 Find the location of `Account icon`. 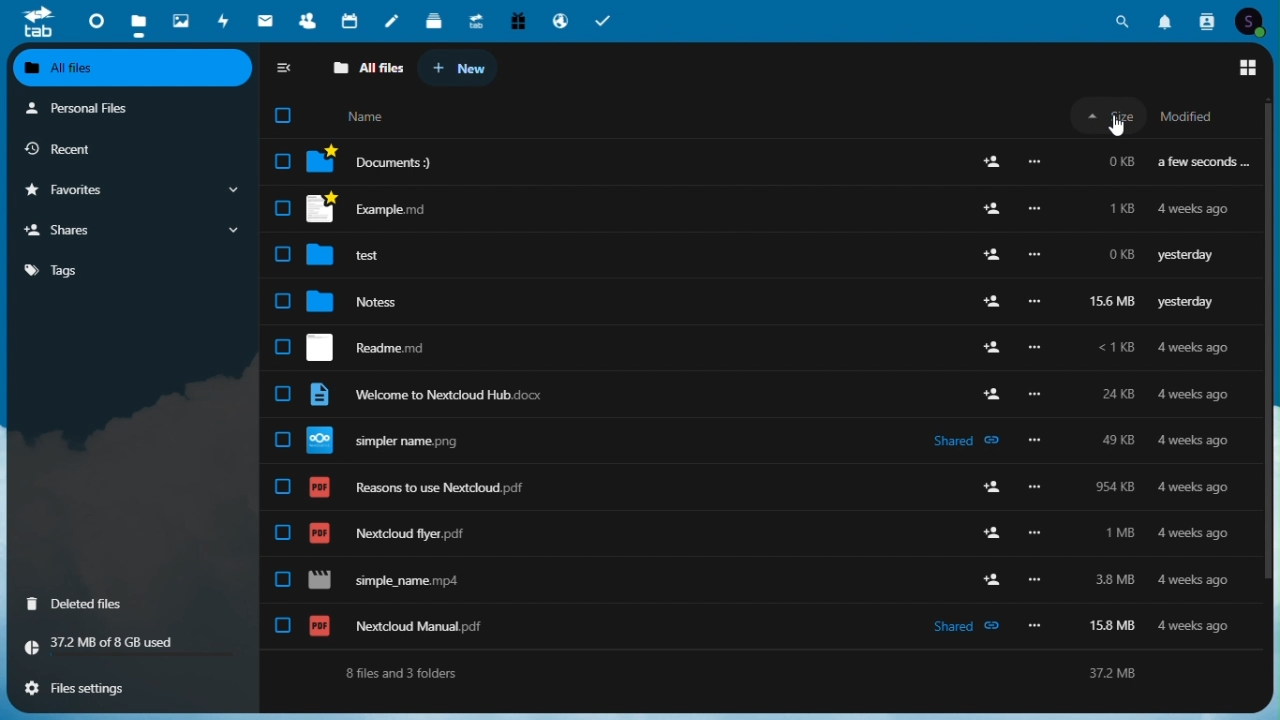

Account icon is located at coordinates (1250, 22).